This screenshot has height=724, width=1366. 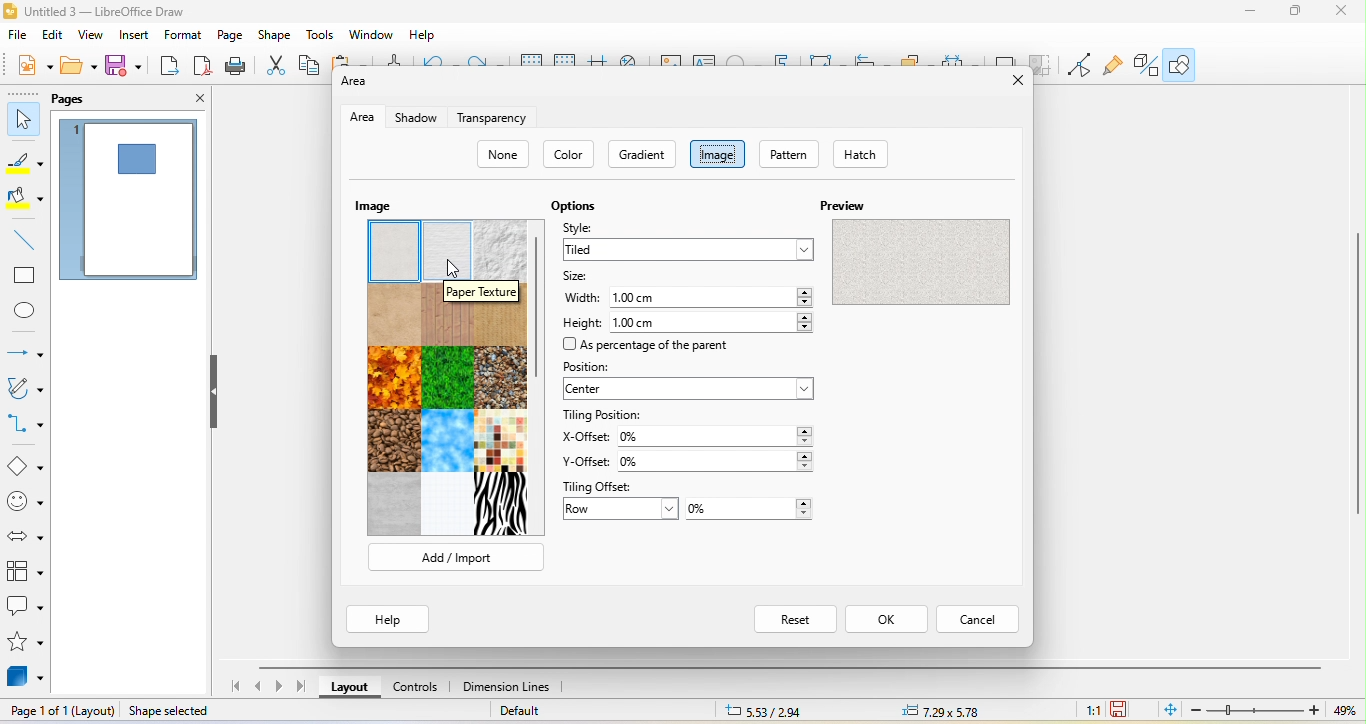 What do you see at coordinates (349, 688) in the screenshot?
I see `layout` at bounding box center [349, 688].